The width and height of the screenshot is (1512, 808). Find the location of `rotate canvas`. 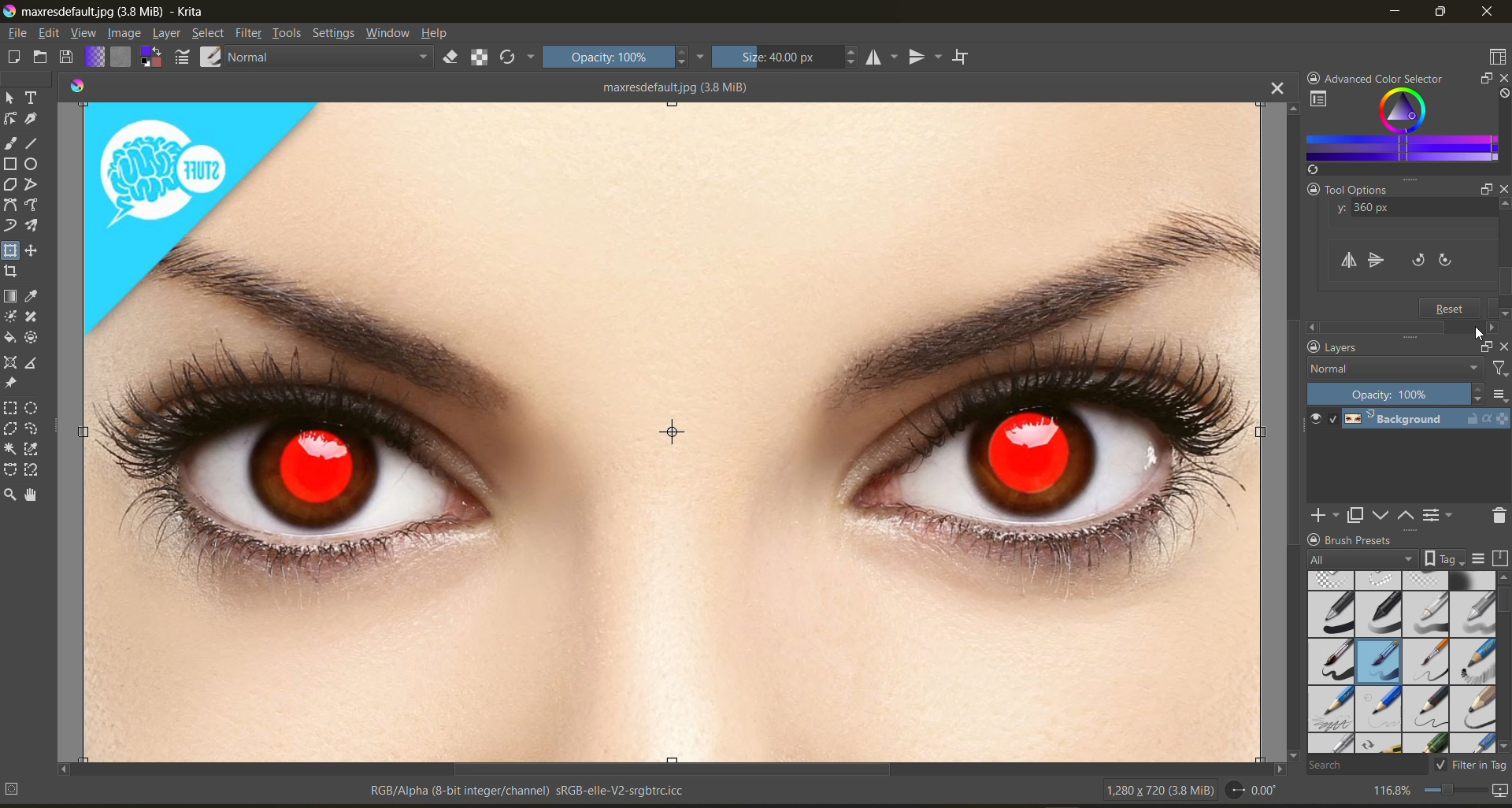

rotate canvas is located at coordinates (1256, 793).